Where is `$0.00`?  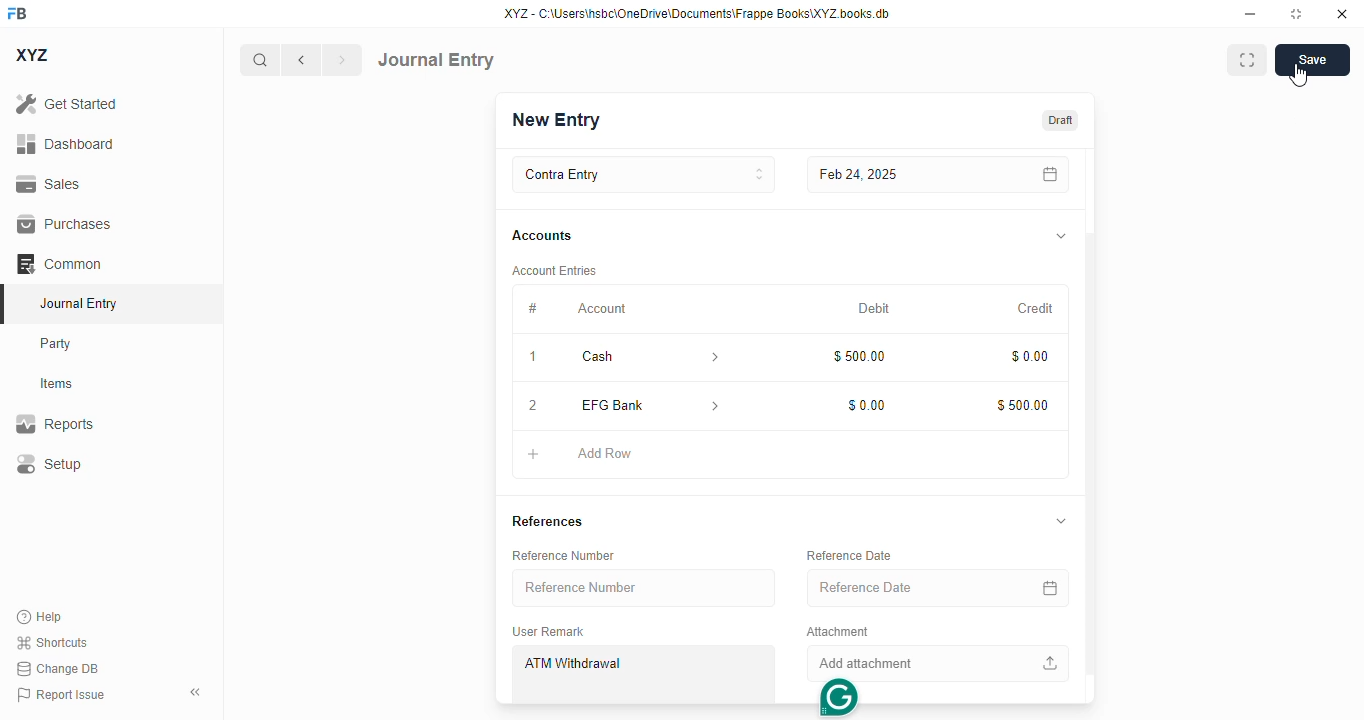 $0.00 is located at coordinates (865, 406).